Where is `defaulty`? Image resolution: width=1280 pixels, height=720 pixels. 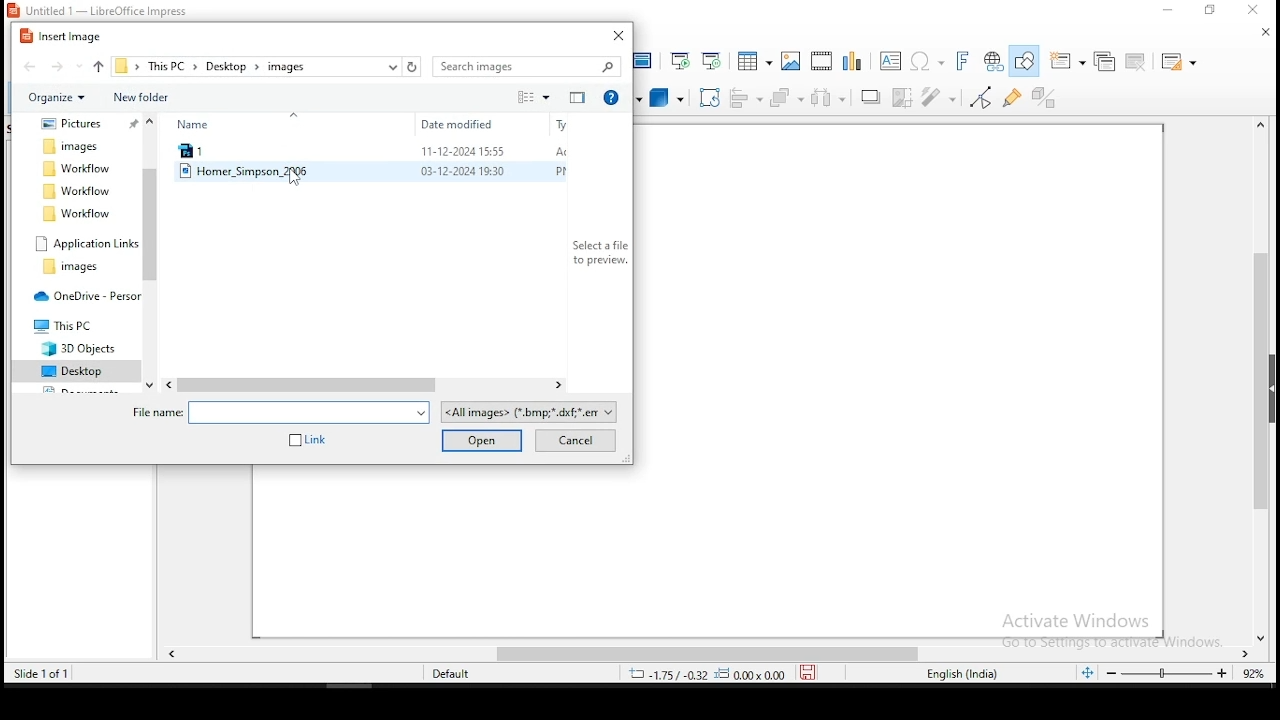
defaulty is located at coordinates (437, 672).